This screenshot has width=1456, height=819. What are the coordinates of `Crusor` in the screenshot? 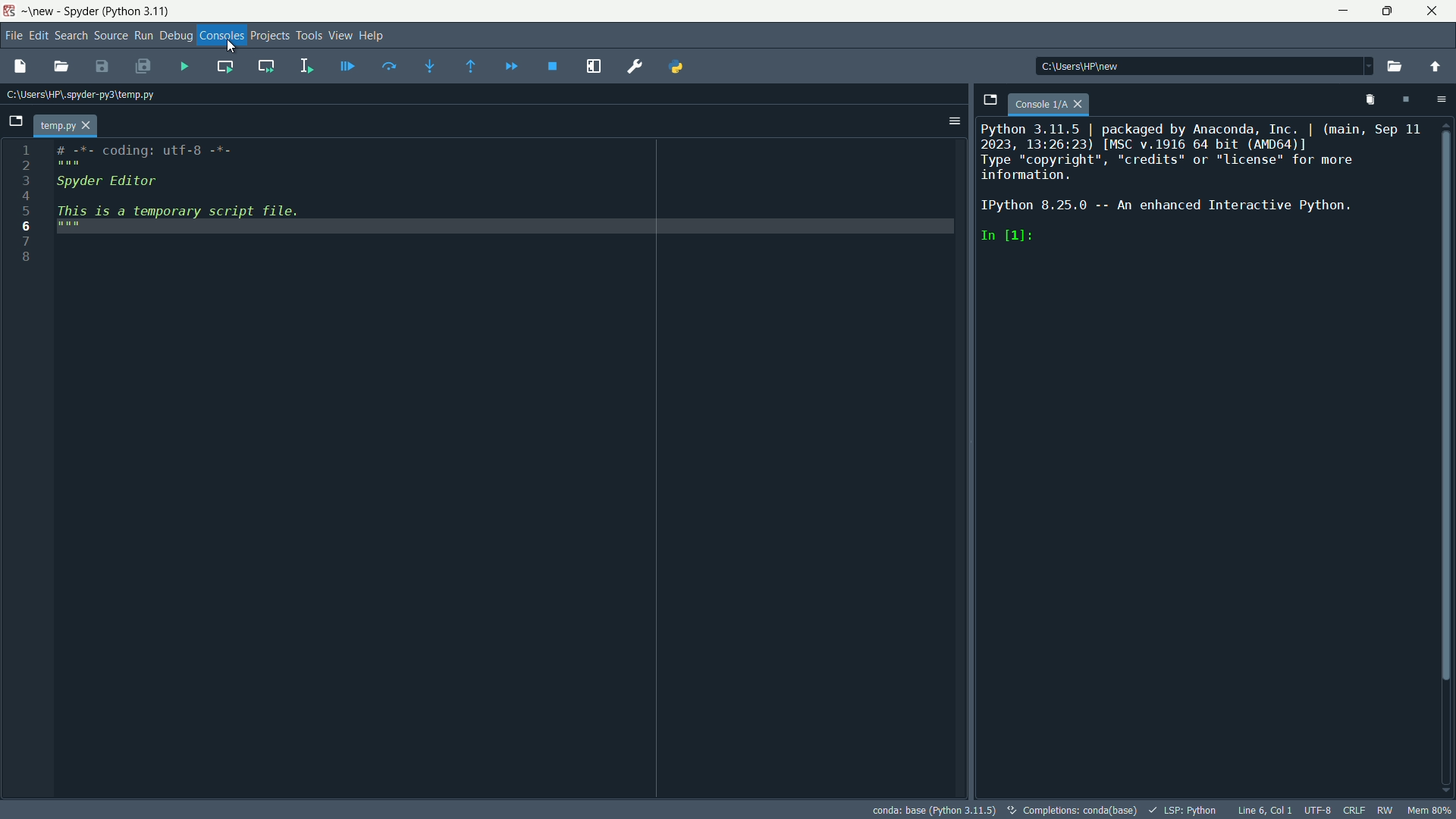 It's located at (231, 47).